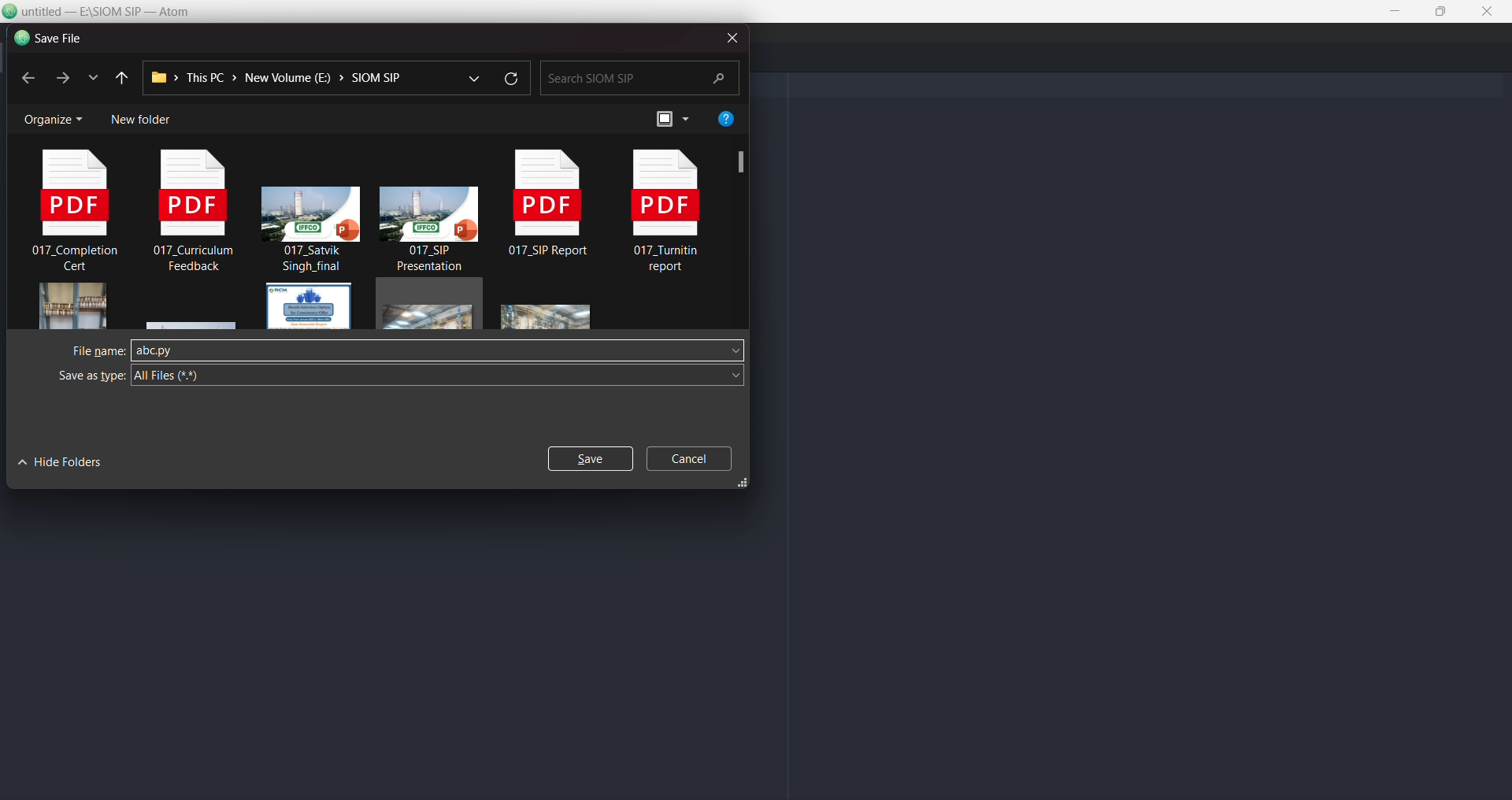  Describe the element at coordinates (547, 316) in the screenshot. I see `image` at that location.